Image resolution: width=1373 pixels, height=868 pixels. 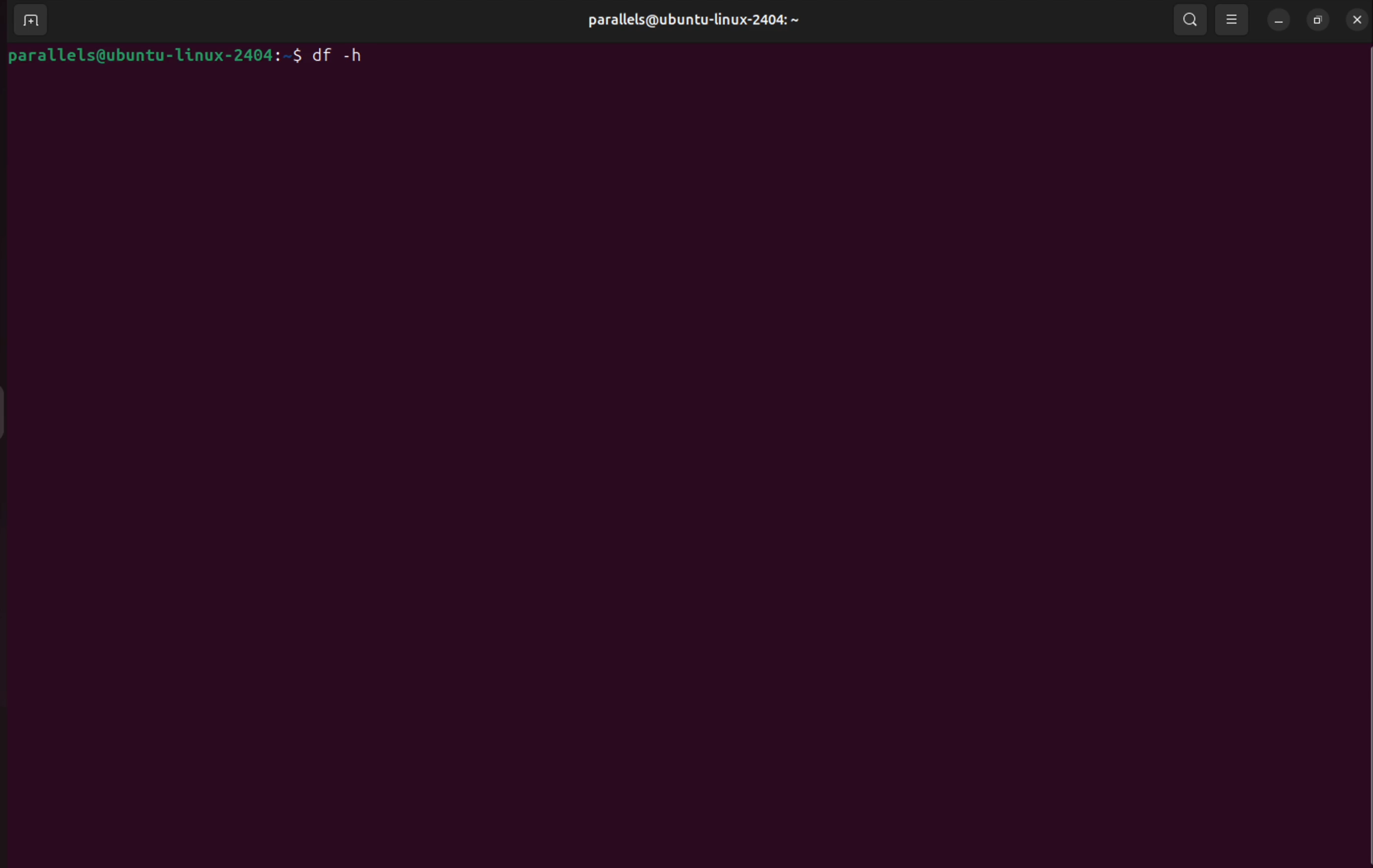 What do you see at coordinates (1320, 21) in the screenshot?
I see `resize` at bounding box center [1320, 21].